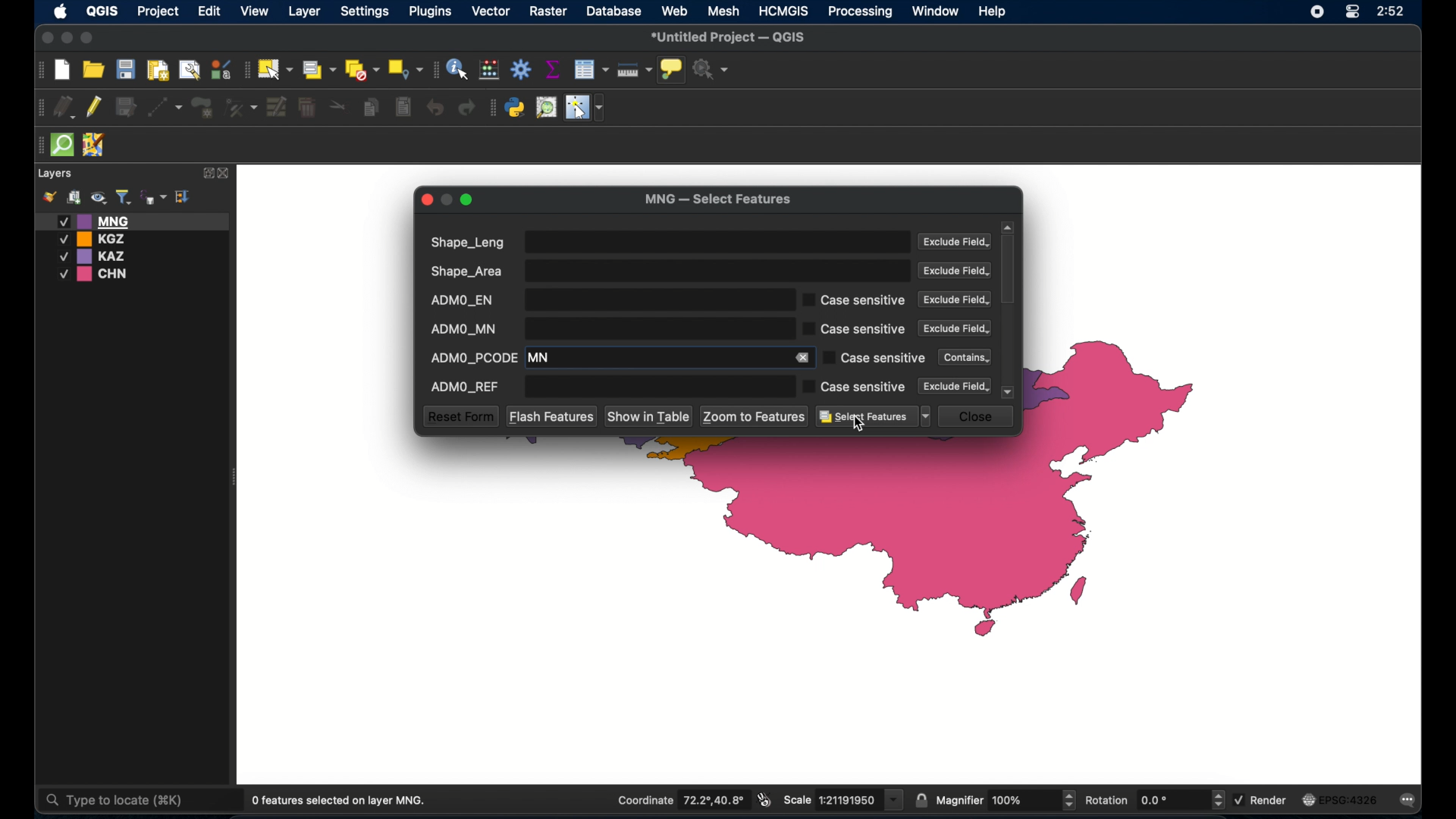  Describe the element at coordinates (766, 800) in the screenshot. I see `toggle extents and mouse display position` at that location.